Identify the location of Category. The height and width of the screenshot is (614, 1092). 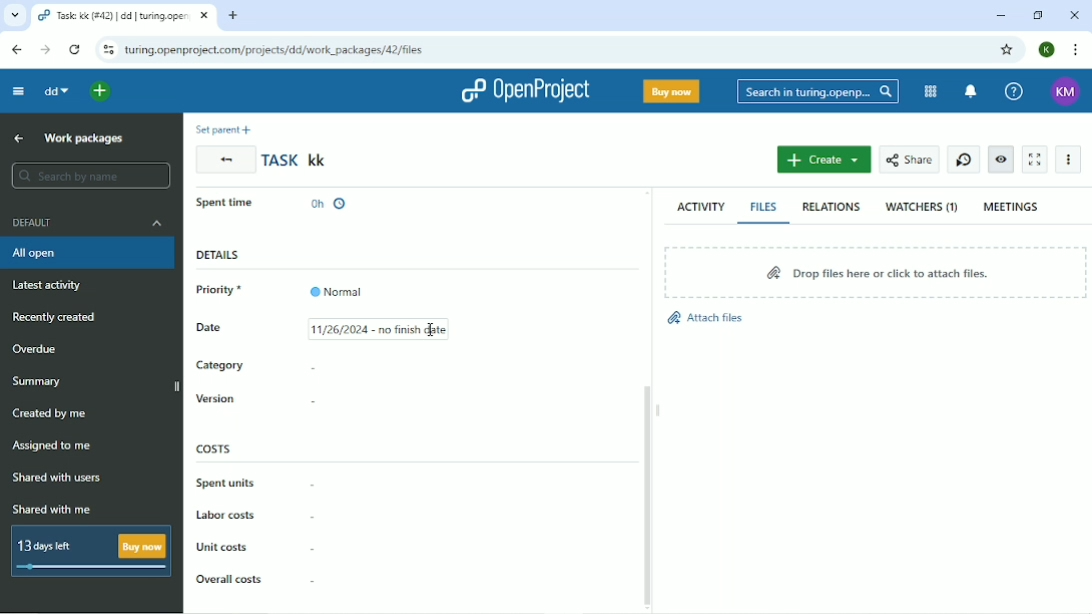
(220, 366).